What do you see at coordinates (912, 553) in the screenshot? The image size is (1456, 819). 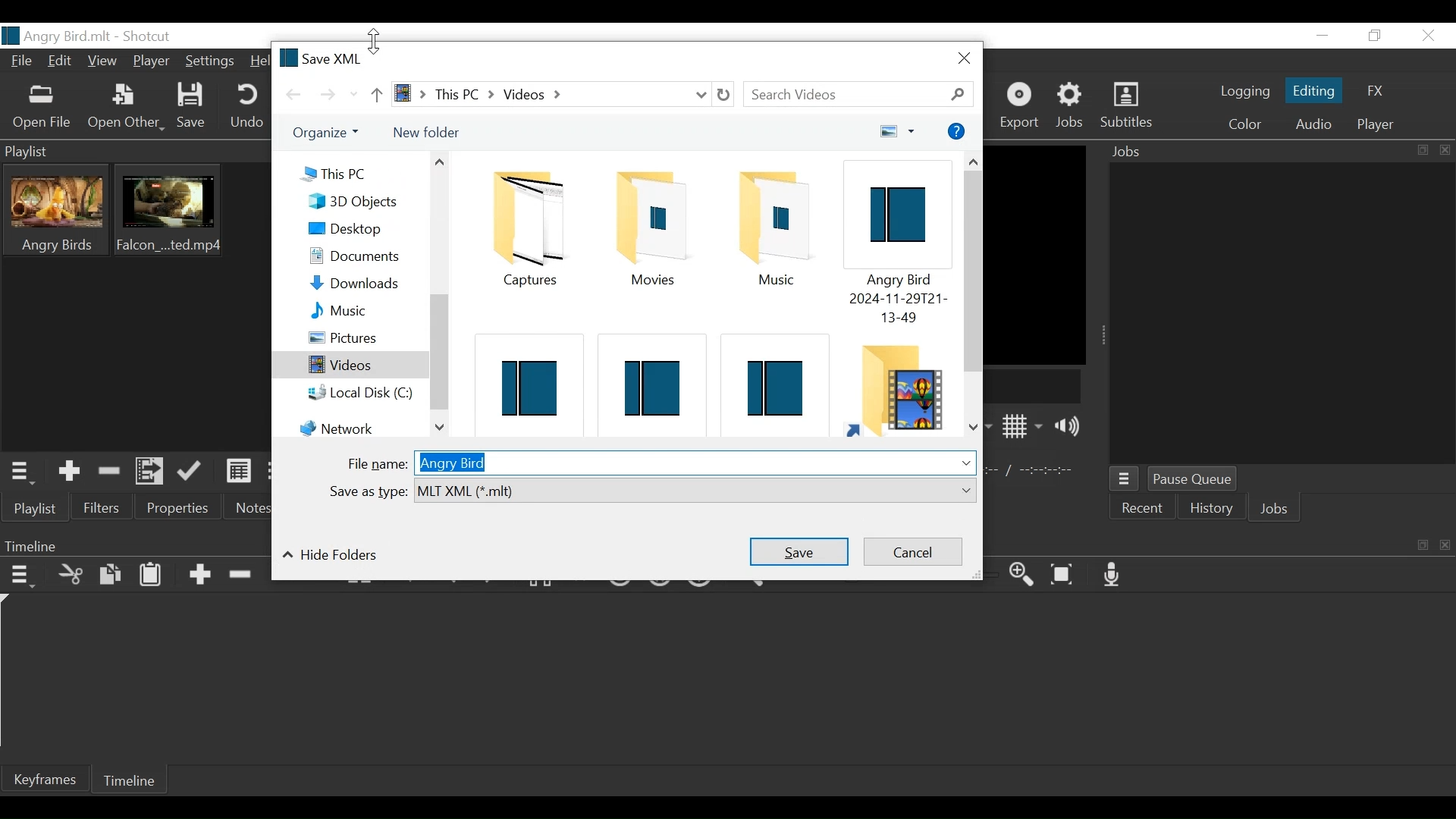 I see `Cancel` at bounding box center [912, 553].